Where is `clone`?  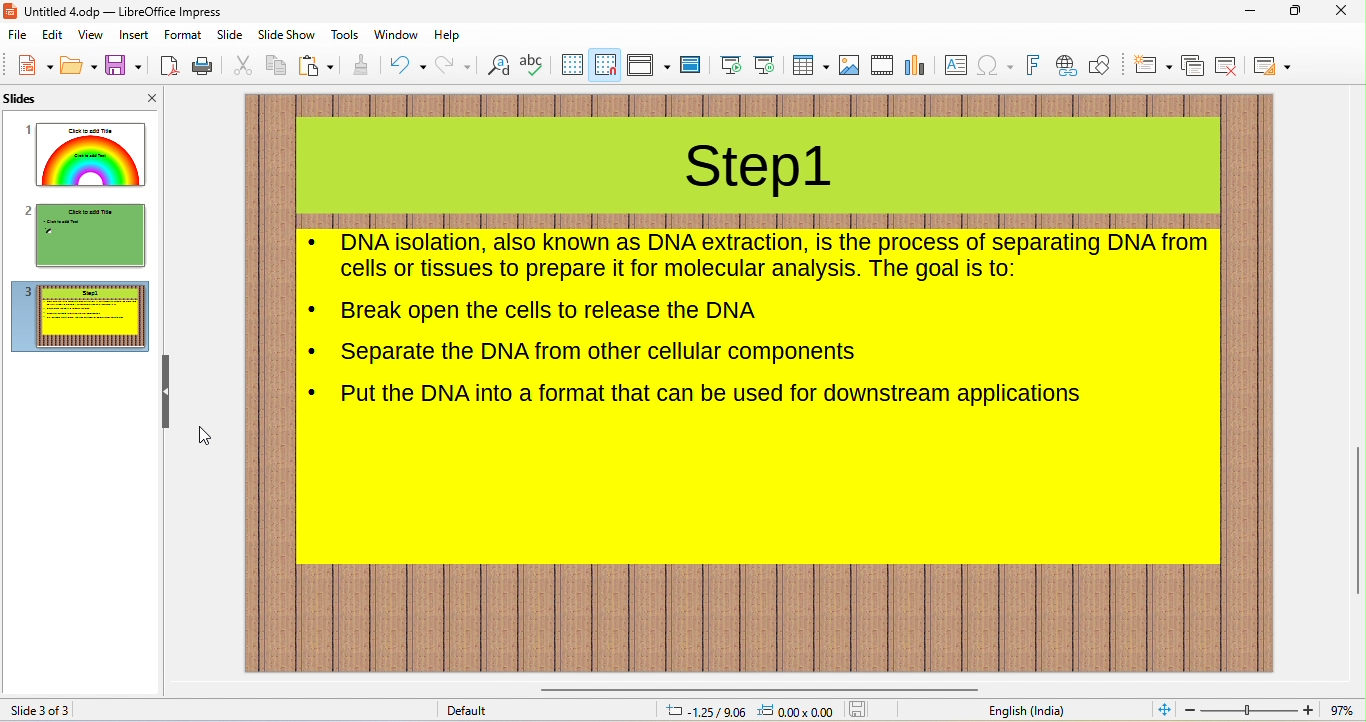 clone is located at coordinates (363, 64).